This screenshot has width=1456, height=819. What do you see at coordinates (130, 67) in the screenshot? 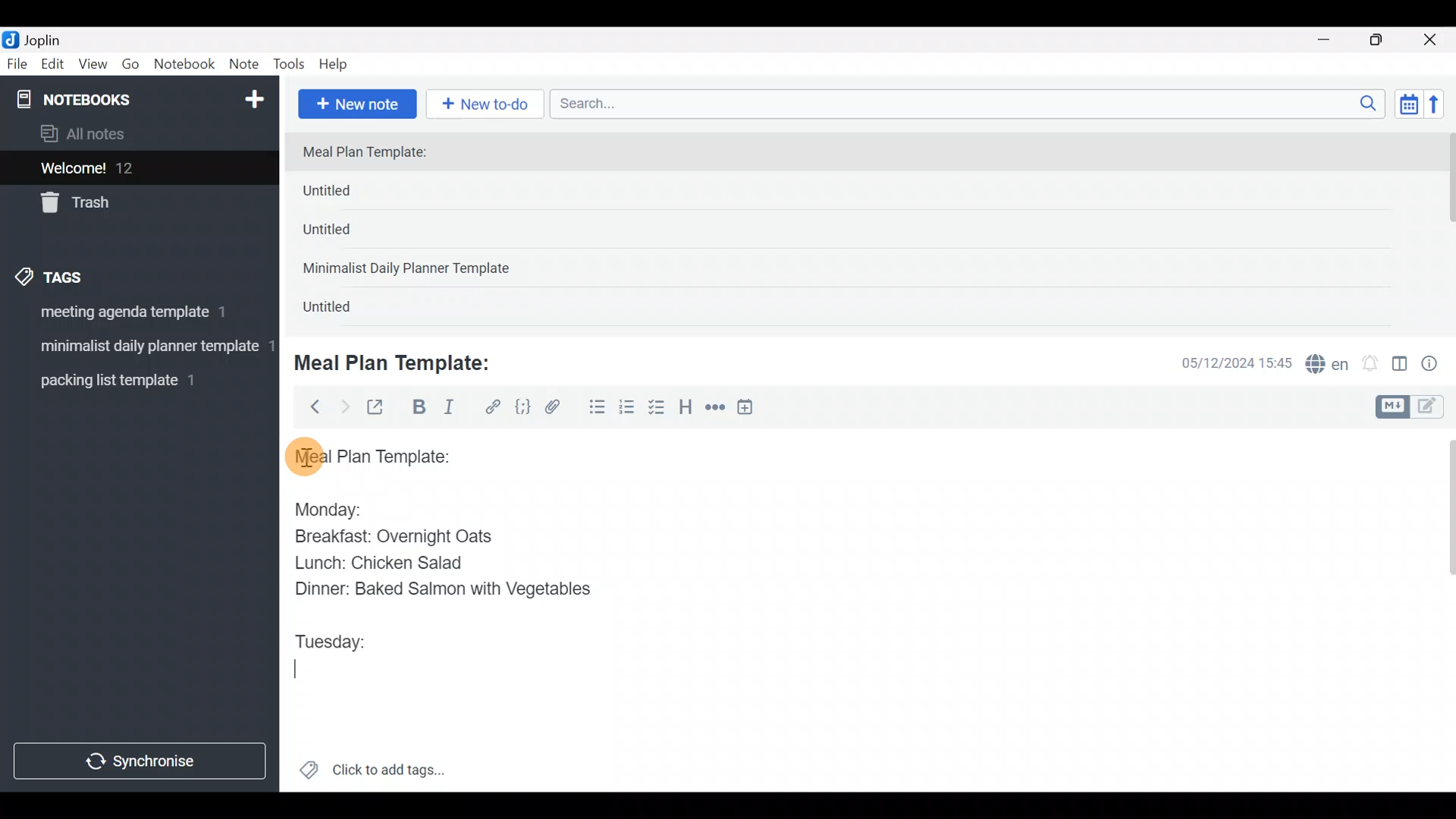
I see `Go` at bounding box center [130, 67].